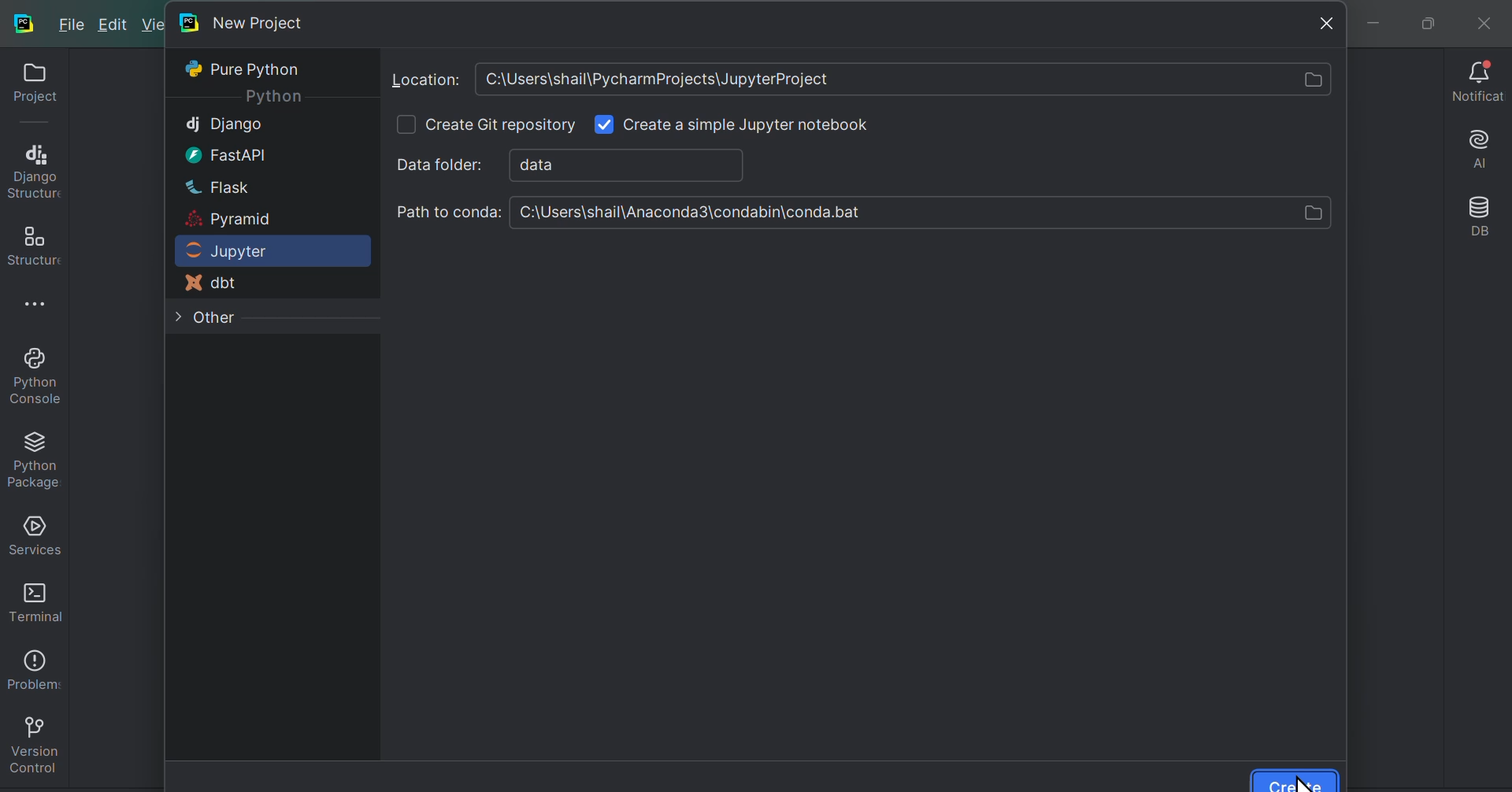  Describe the element at coordinates (861, 212) in the screenshot. I see `Path to conda` at that location.